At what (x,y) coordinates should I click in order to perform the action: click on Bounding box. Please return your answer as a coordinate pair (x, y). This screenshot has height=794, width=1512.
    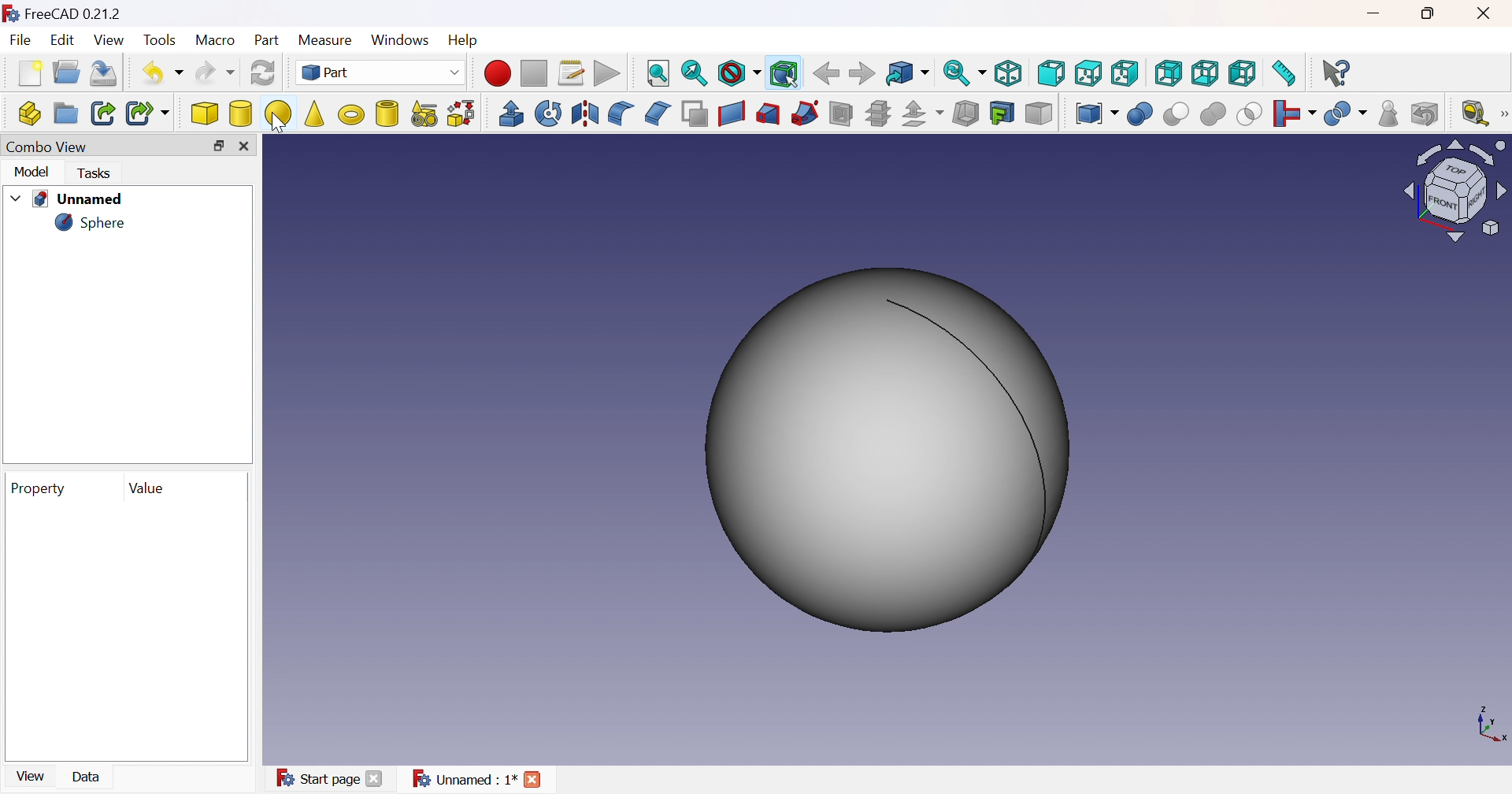
    Looking at the image, I should click on (784, 76).